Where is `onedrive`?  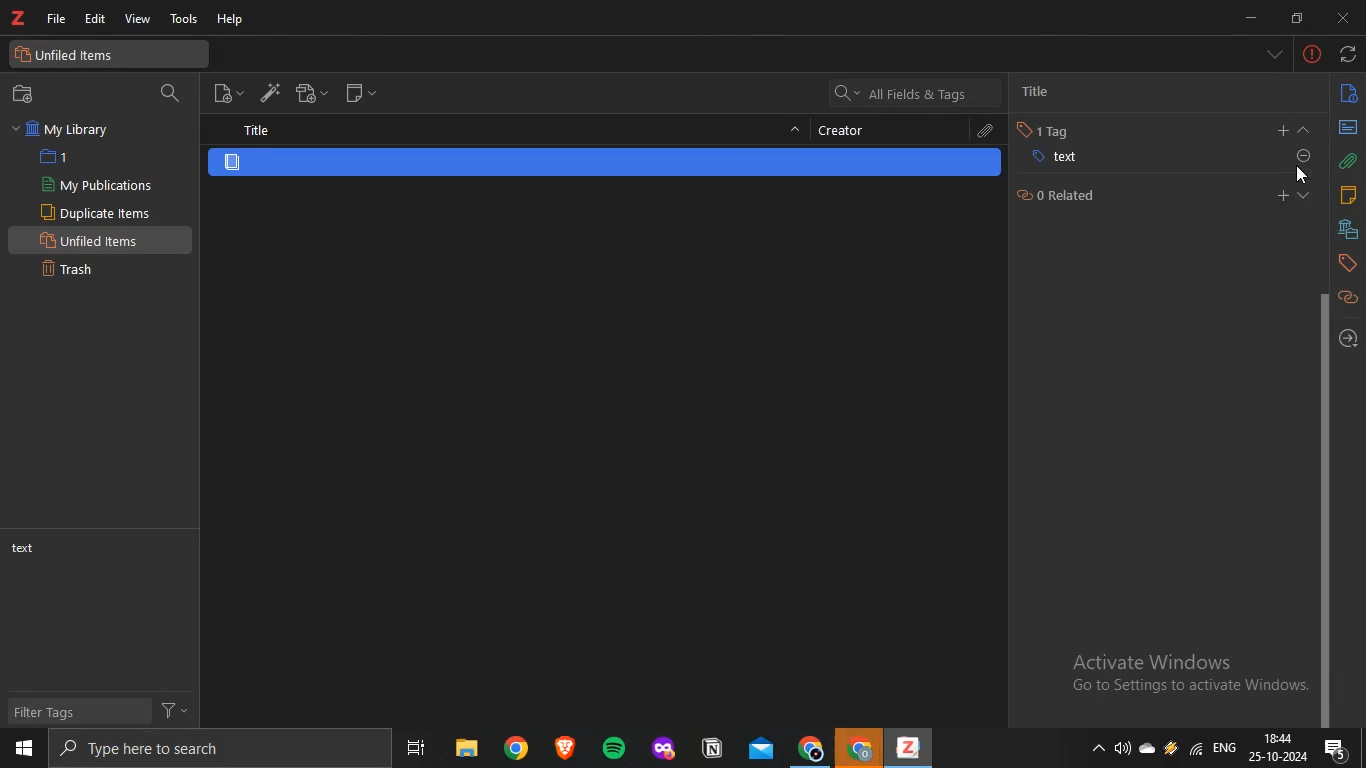 onedrive is located at coordinates (1145, 748).